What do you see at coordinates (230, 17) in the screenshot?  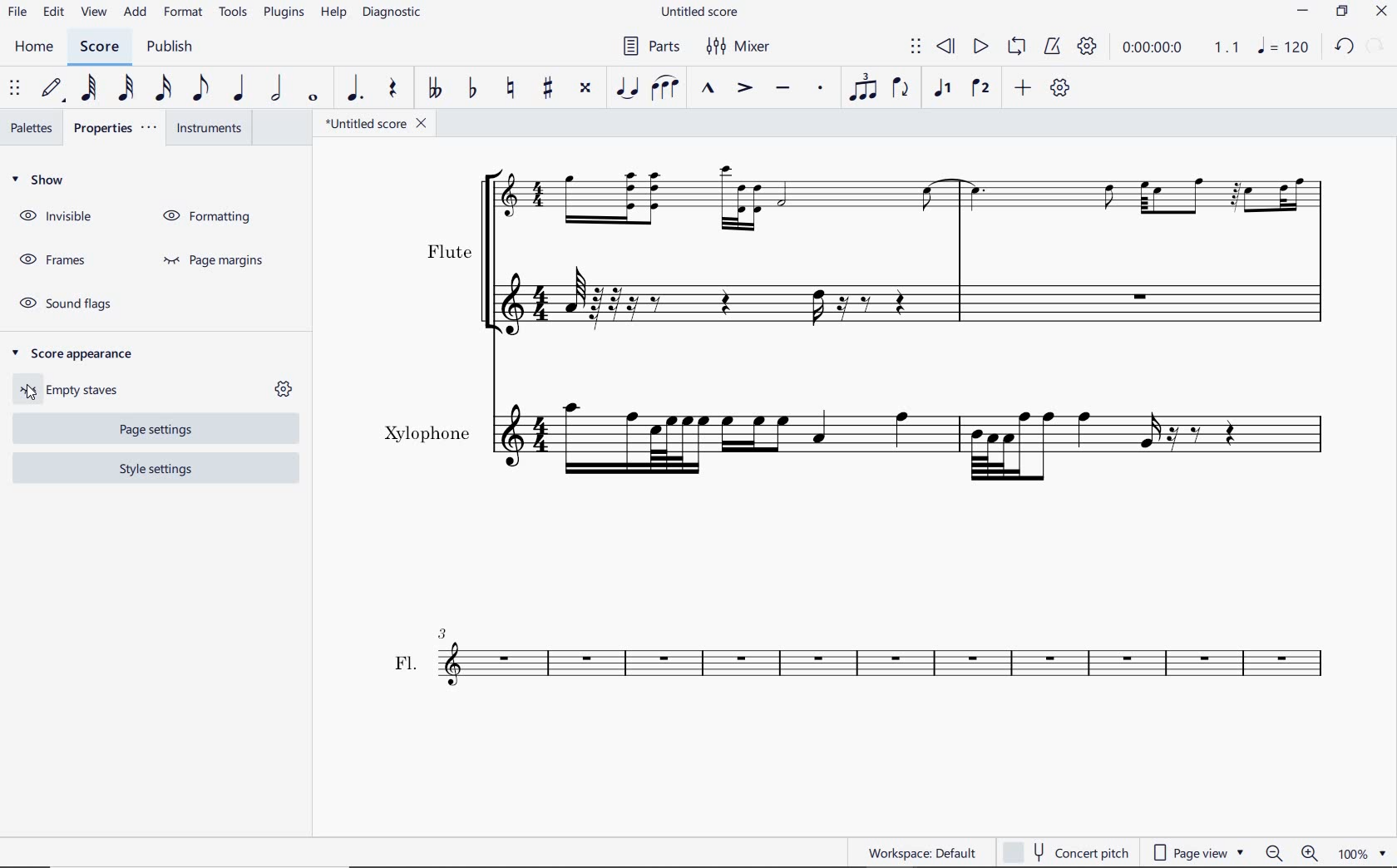 I see `TOOLS` at bounding box center [230, 17].